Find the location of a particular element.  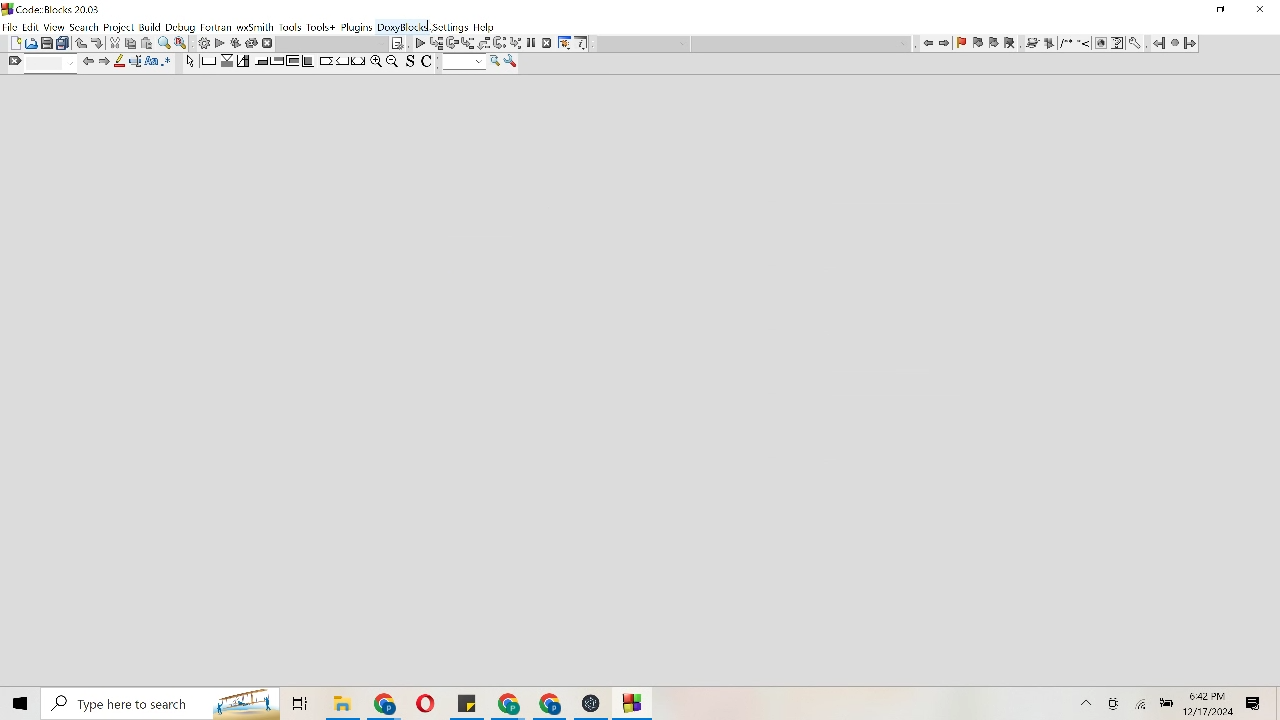

Windows is located at coordinates (19, 702).